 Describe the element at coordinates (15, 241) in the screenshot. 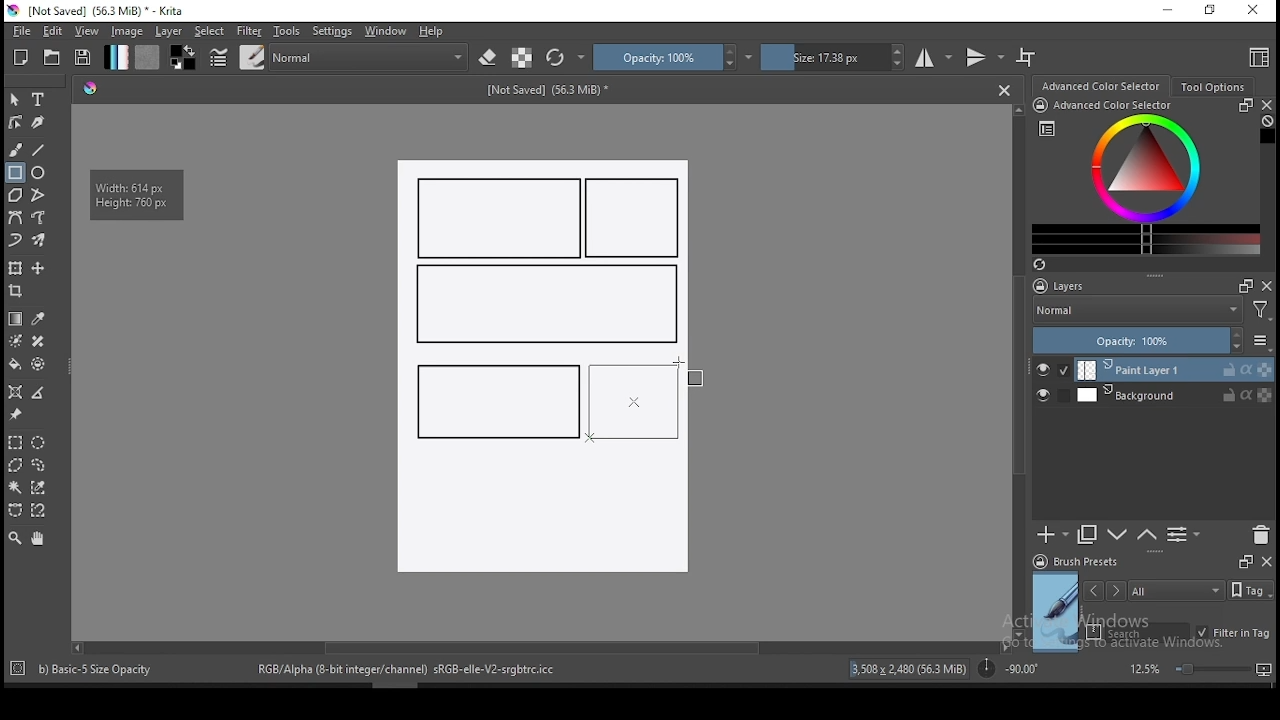

I see `dynamic brush tool` at that location.